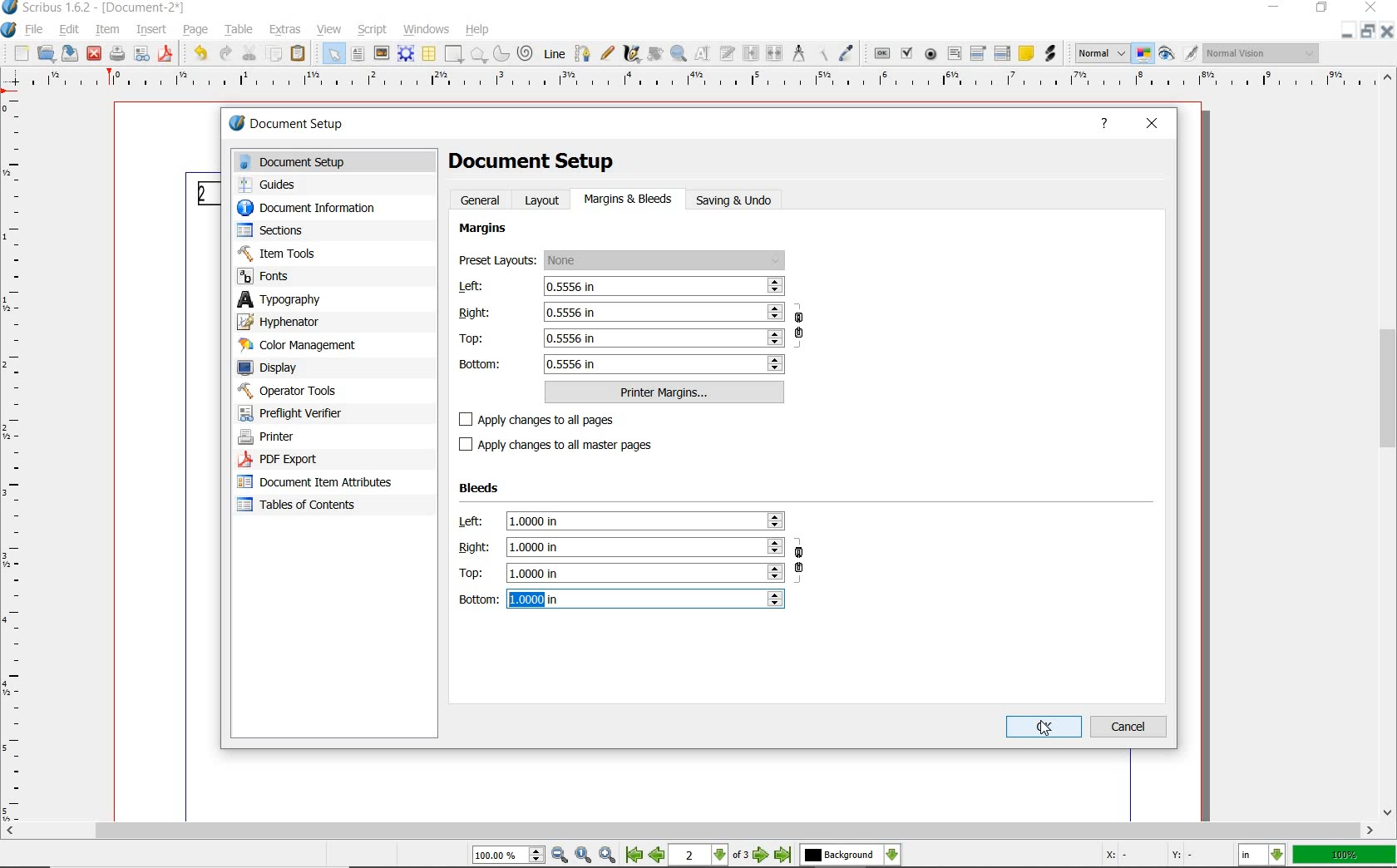  I want to click on link text frames, so click(751, 53).